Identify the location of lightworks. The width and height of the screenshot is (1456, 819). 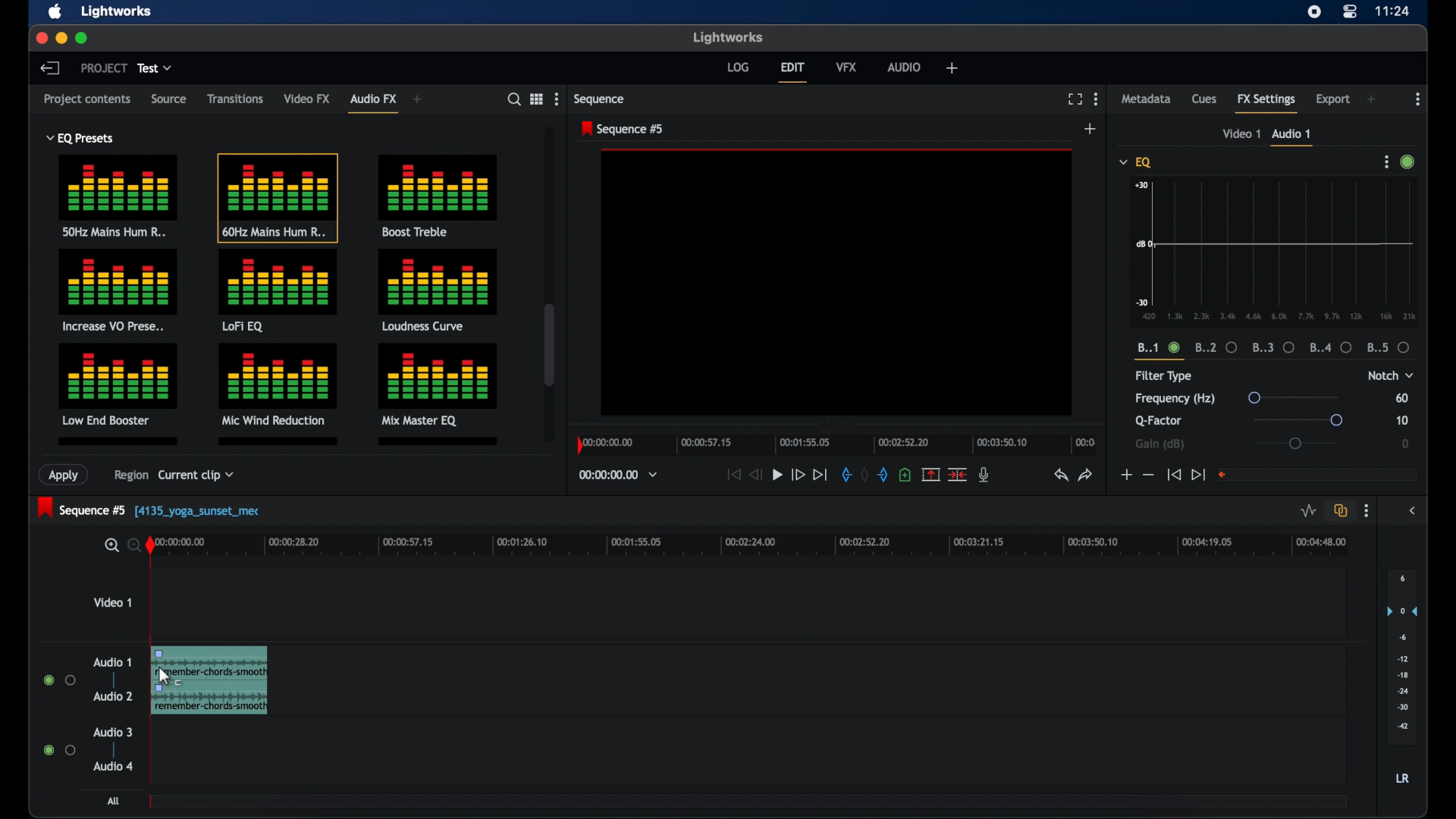
(118, 11).